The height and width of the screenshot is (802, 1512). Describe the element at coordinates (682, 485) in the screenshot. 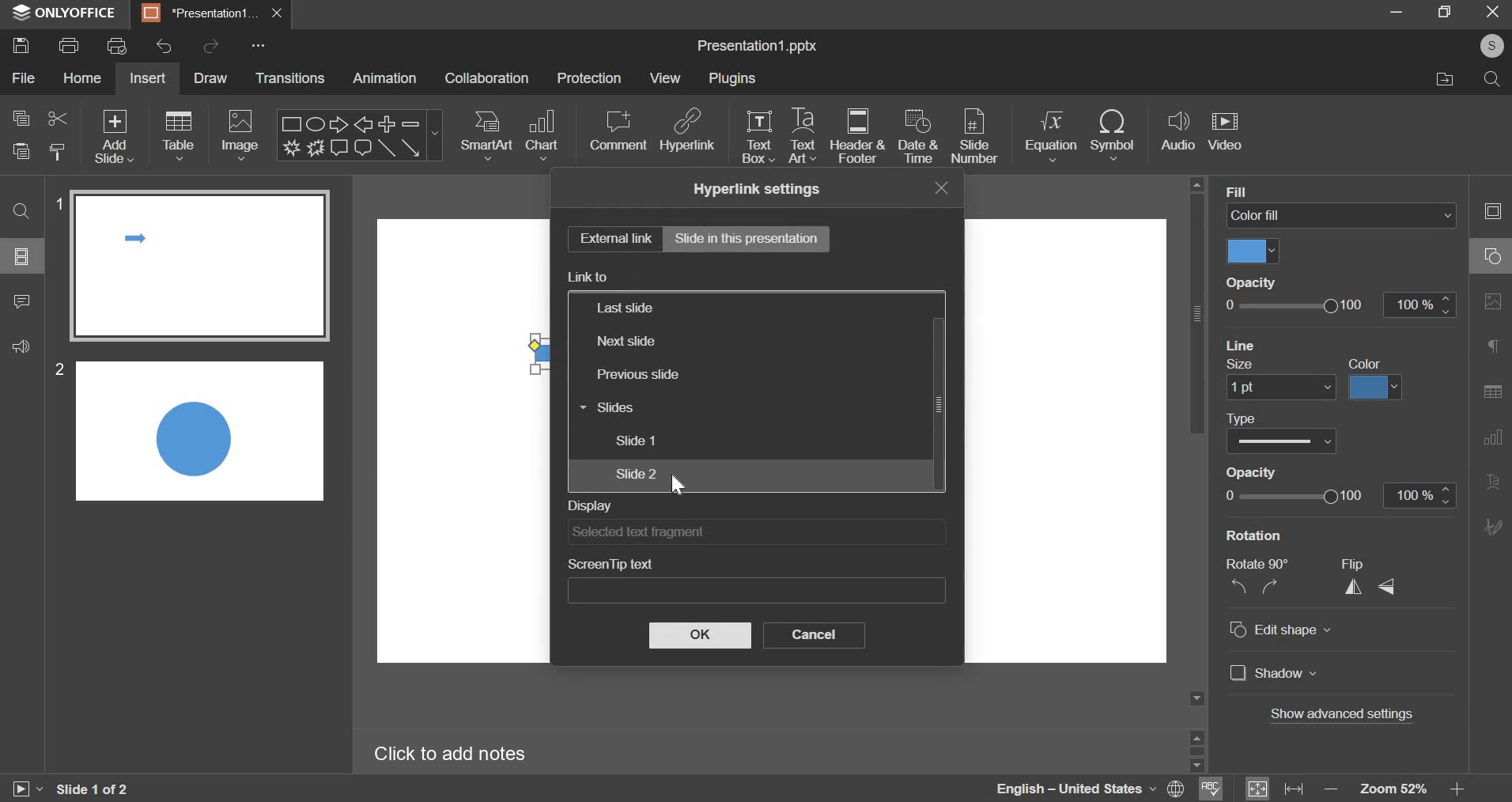

I see `cursor` at that location.